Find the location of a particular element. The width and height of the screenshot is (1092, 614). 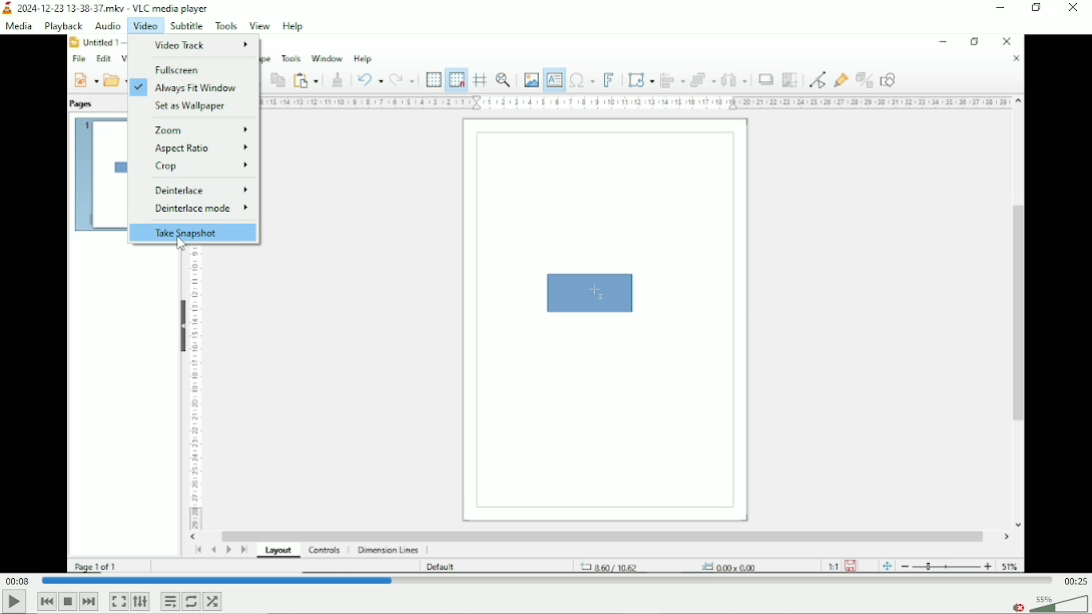

volume on/off is located at coordinates (1016, 606).